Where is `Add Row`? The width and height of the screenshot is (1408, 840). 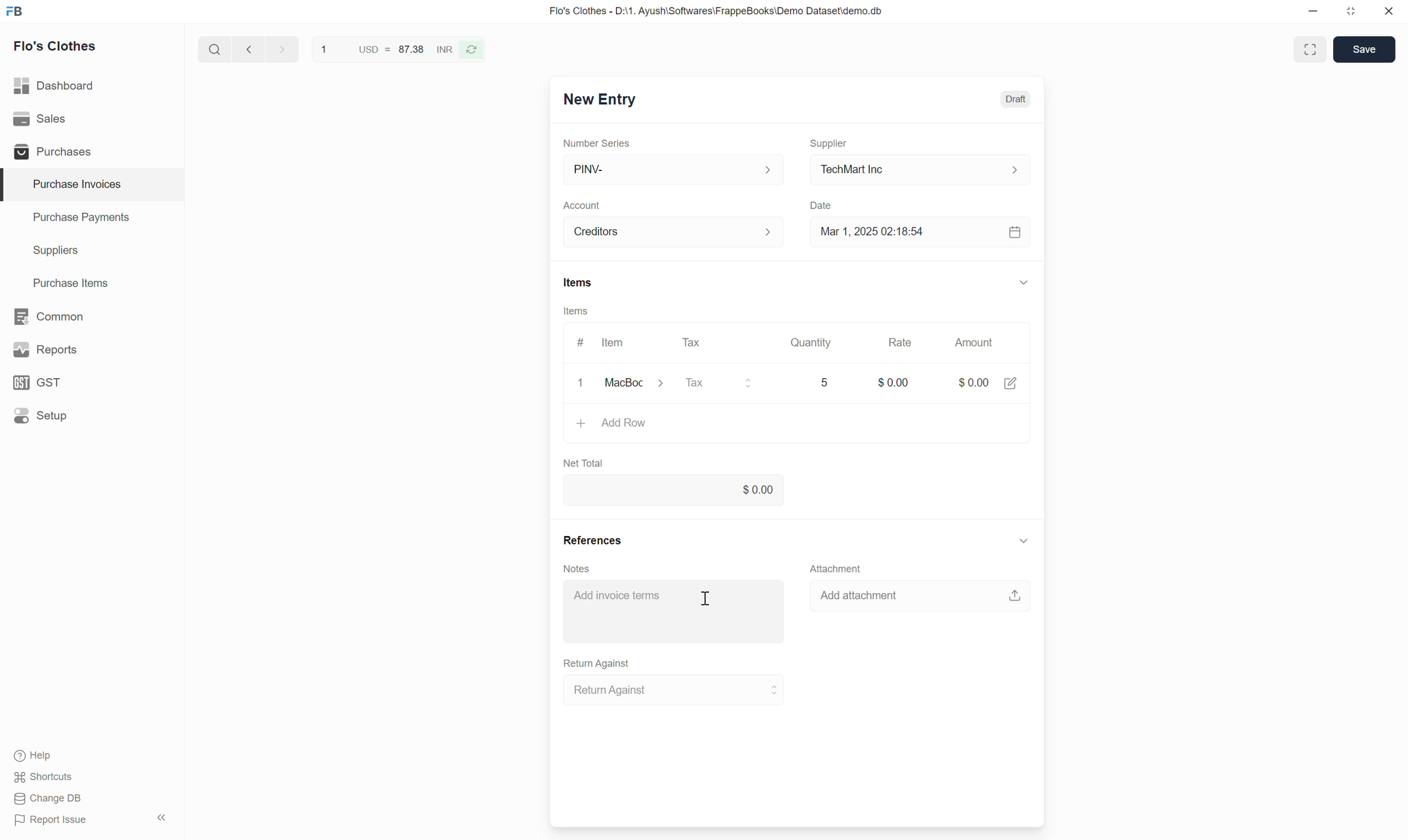
Add Row is located at coordinates (798, 427).